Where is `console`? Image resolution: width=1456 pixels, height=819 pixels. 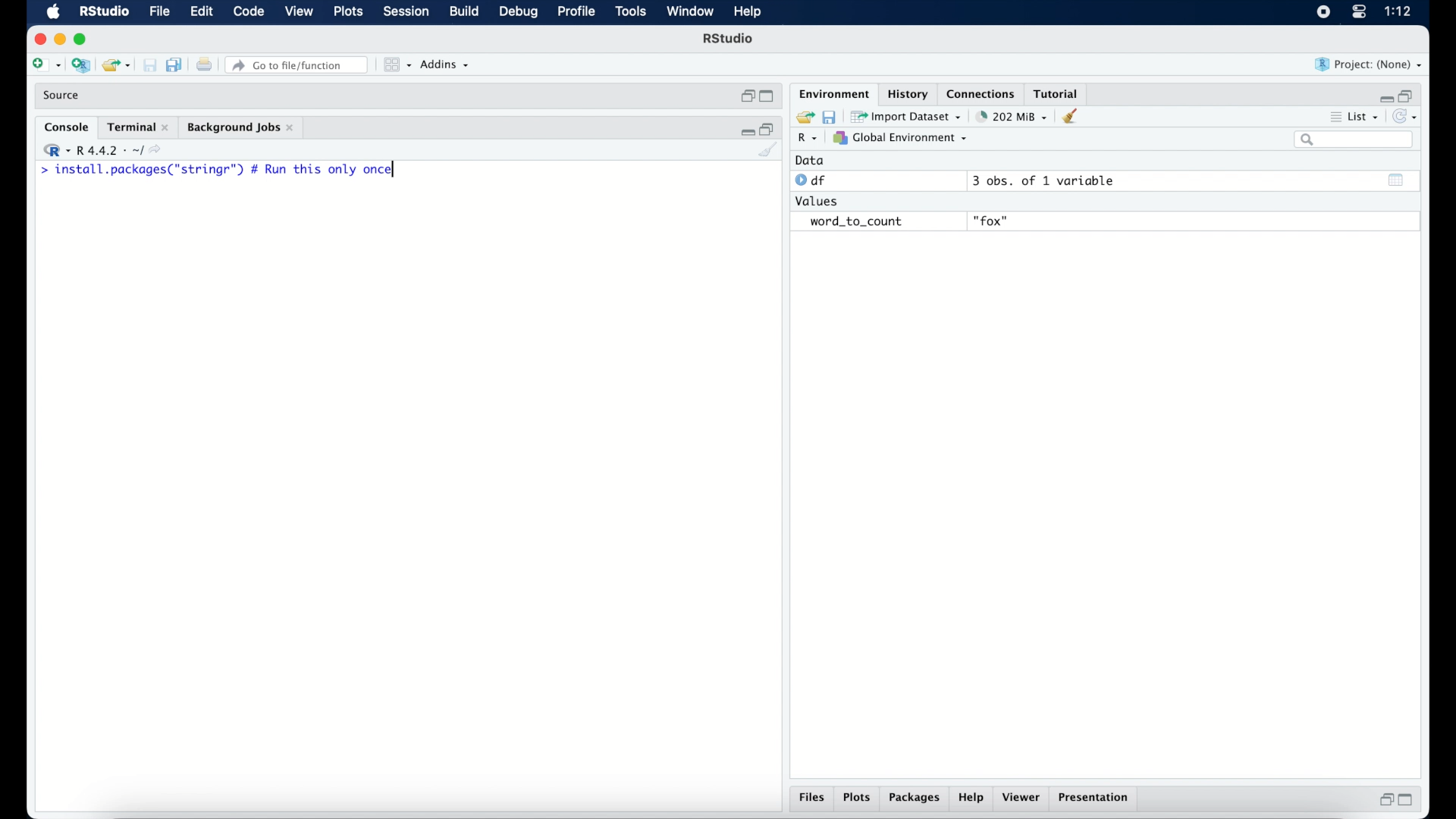 console is located at coordinates (67, 127).